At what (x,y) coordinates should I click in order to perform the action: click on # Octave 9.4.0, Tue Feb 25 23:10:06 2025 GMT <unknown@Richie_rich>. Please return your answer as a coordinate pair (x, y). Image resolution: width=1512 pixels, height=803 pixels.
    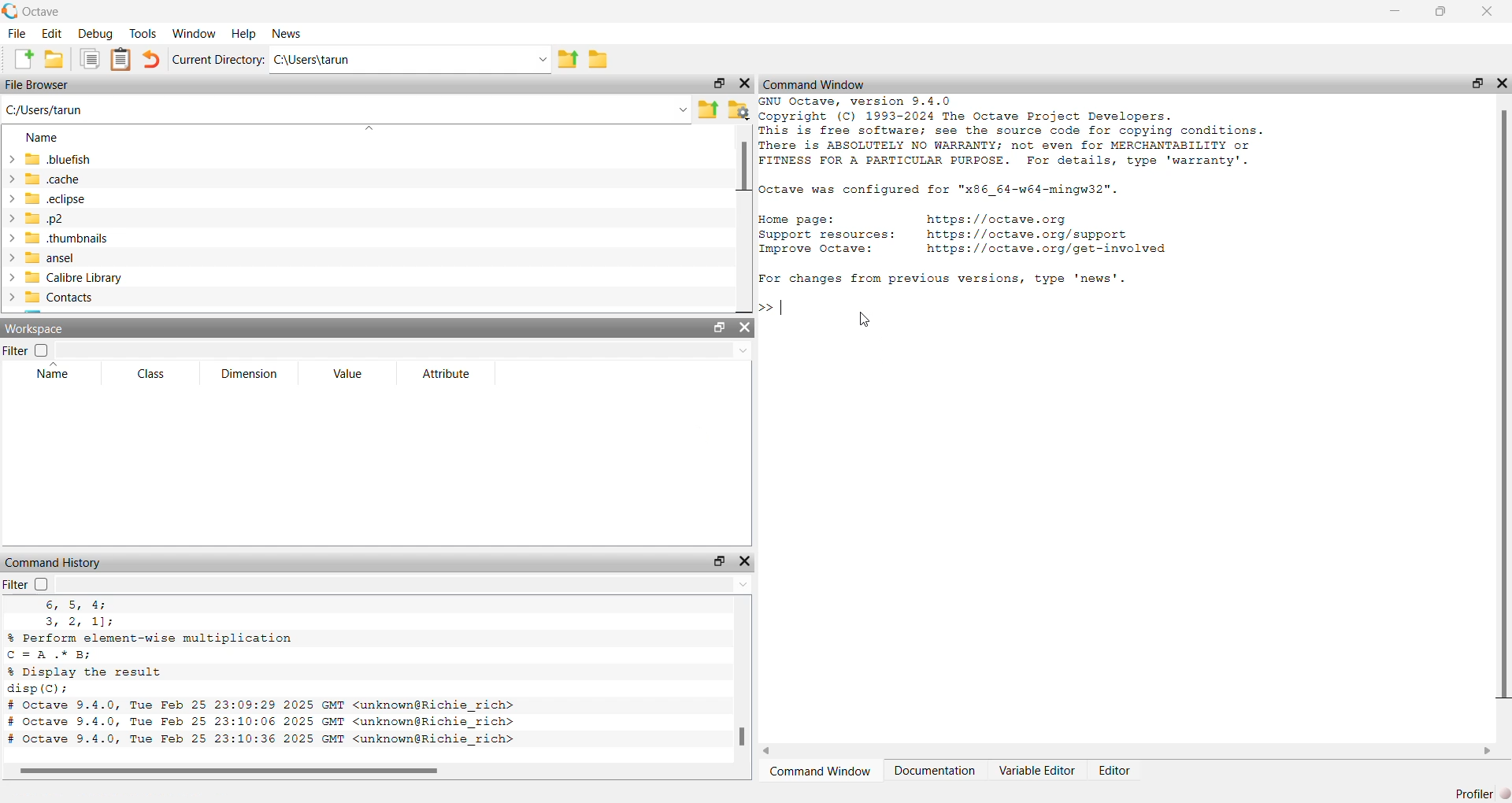
    Looking at the image, I should click on (262, 723).